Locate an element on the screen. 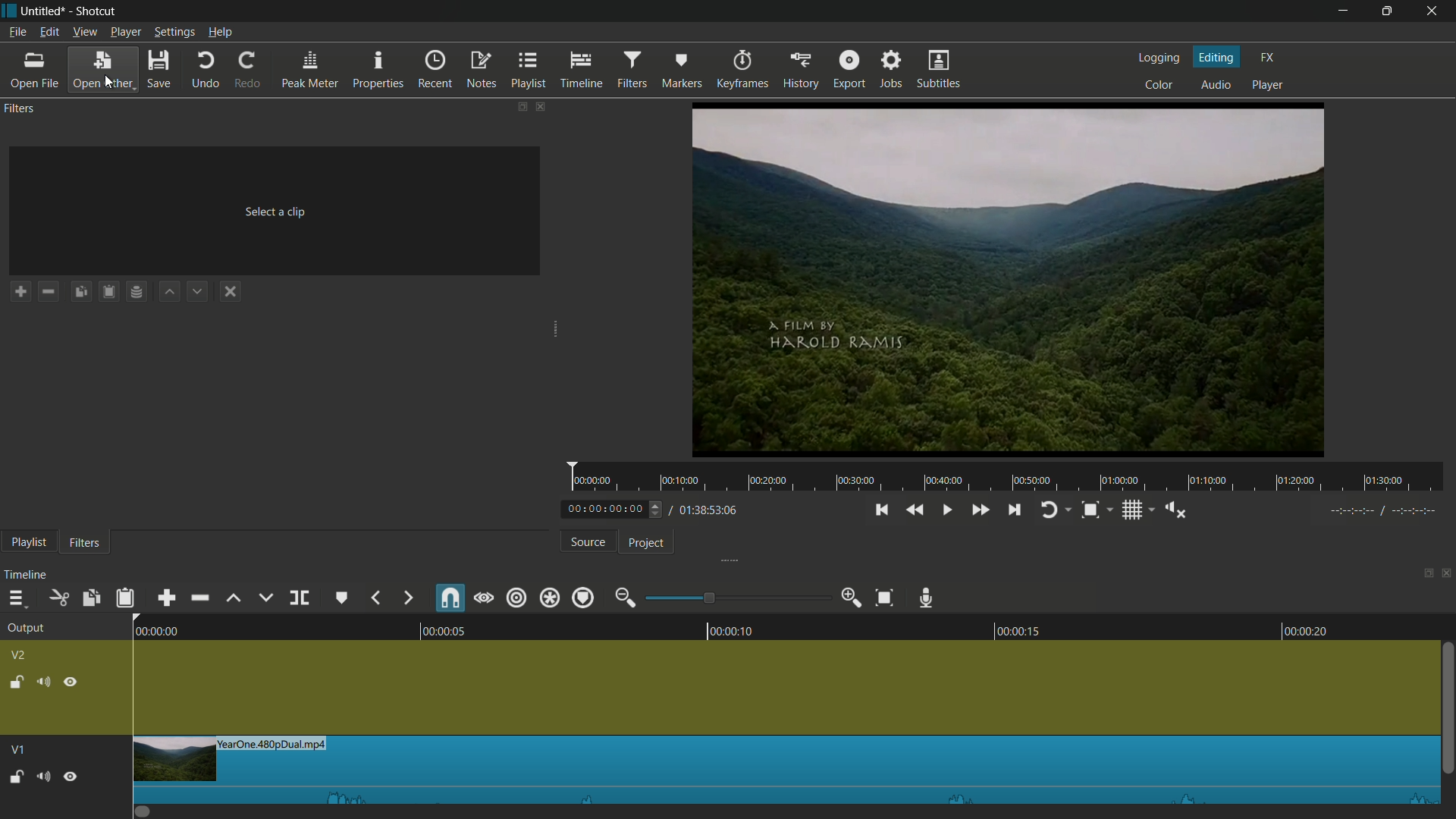 Image resolution: width=1456 pixels, height=819 pixels. lift is located at coordinates (234, 597).